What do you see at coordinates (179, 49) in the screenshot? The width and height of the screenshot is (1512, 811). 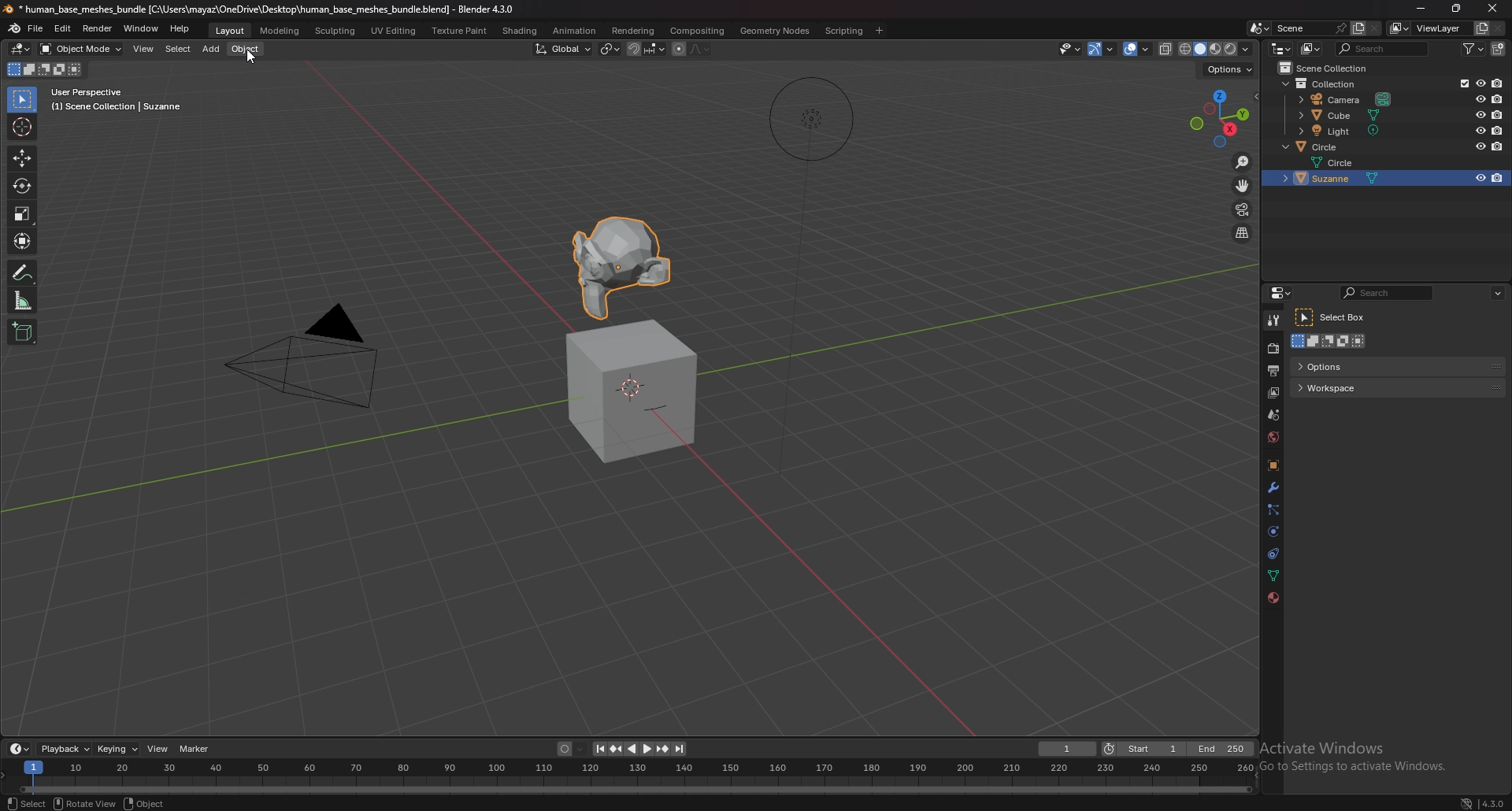 I see `select` at bounding box center [179, 49].